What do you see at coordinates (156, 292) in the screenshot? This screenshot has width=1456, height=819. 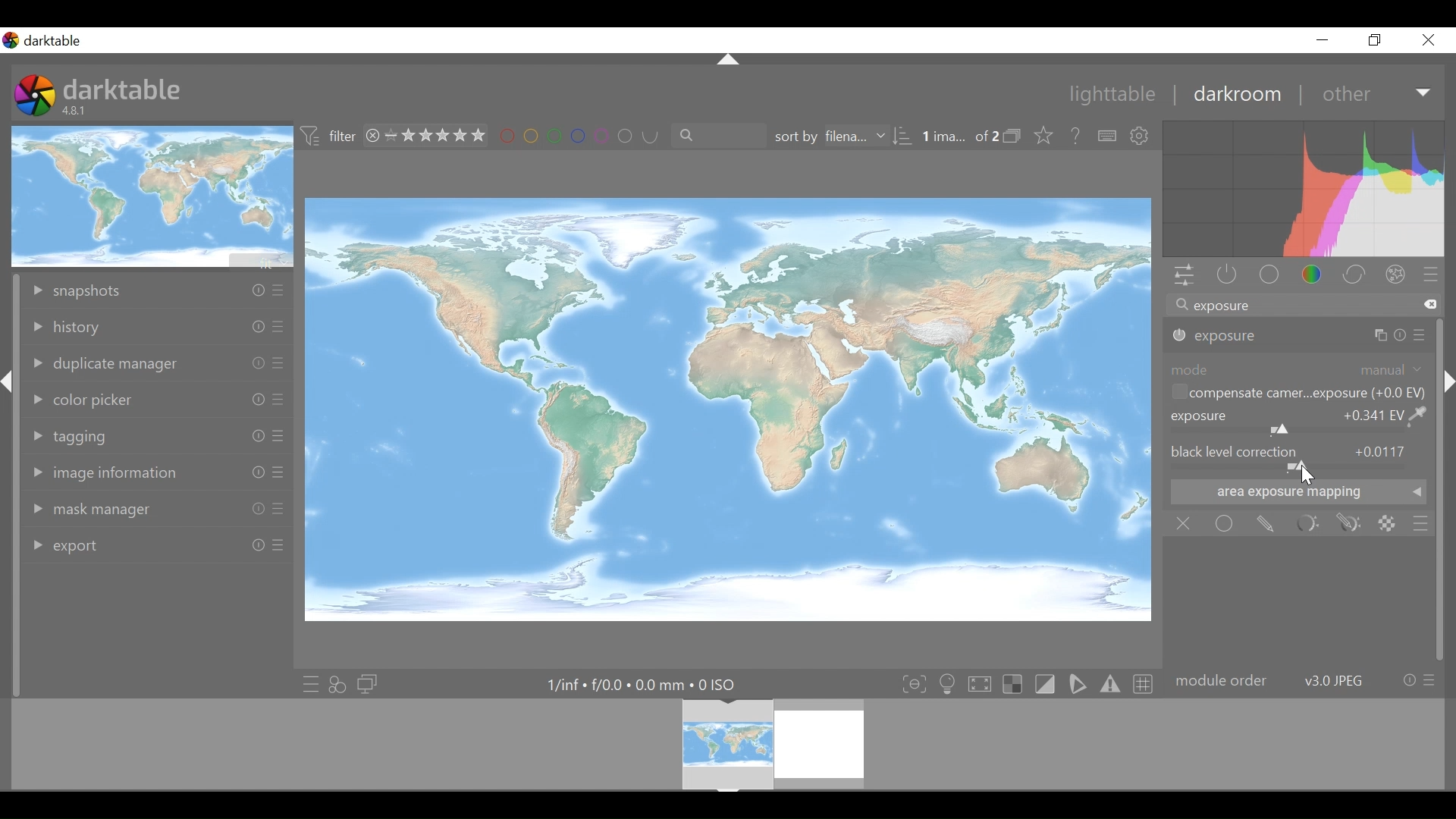 I see `snapshot` at bounding box center [156, 292].